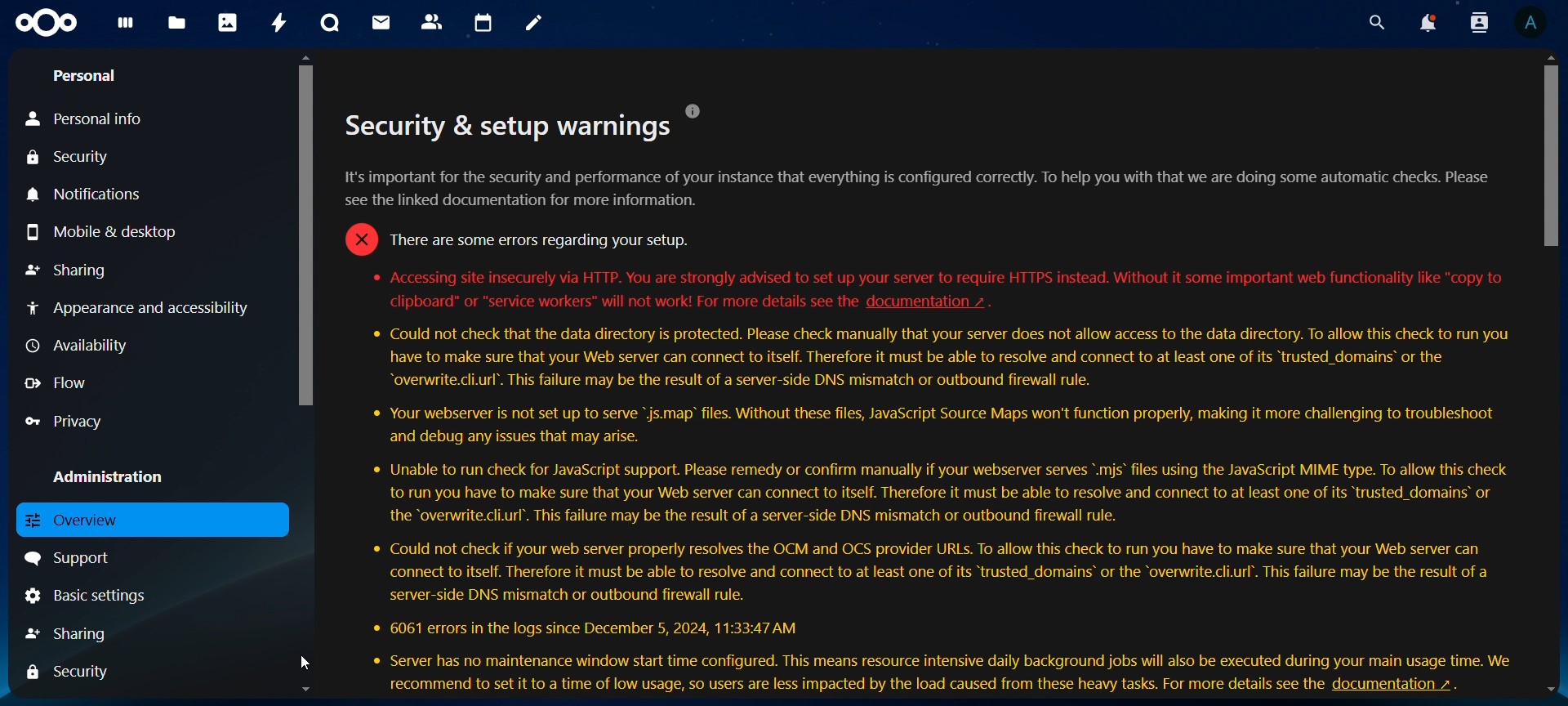 The height and width of the screenshot is (706, 1568). What do you see at coordinates (97, 117) in the screenshot?
I see `personal info` at bounding box center [97, 117].